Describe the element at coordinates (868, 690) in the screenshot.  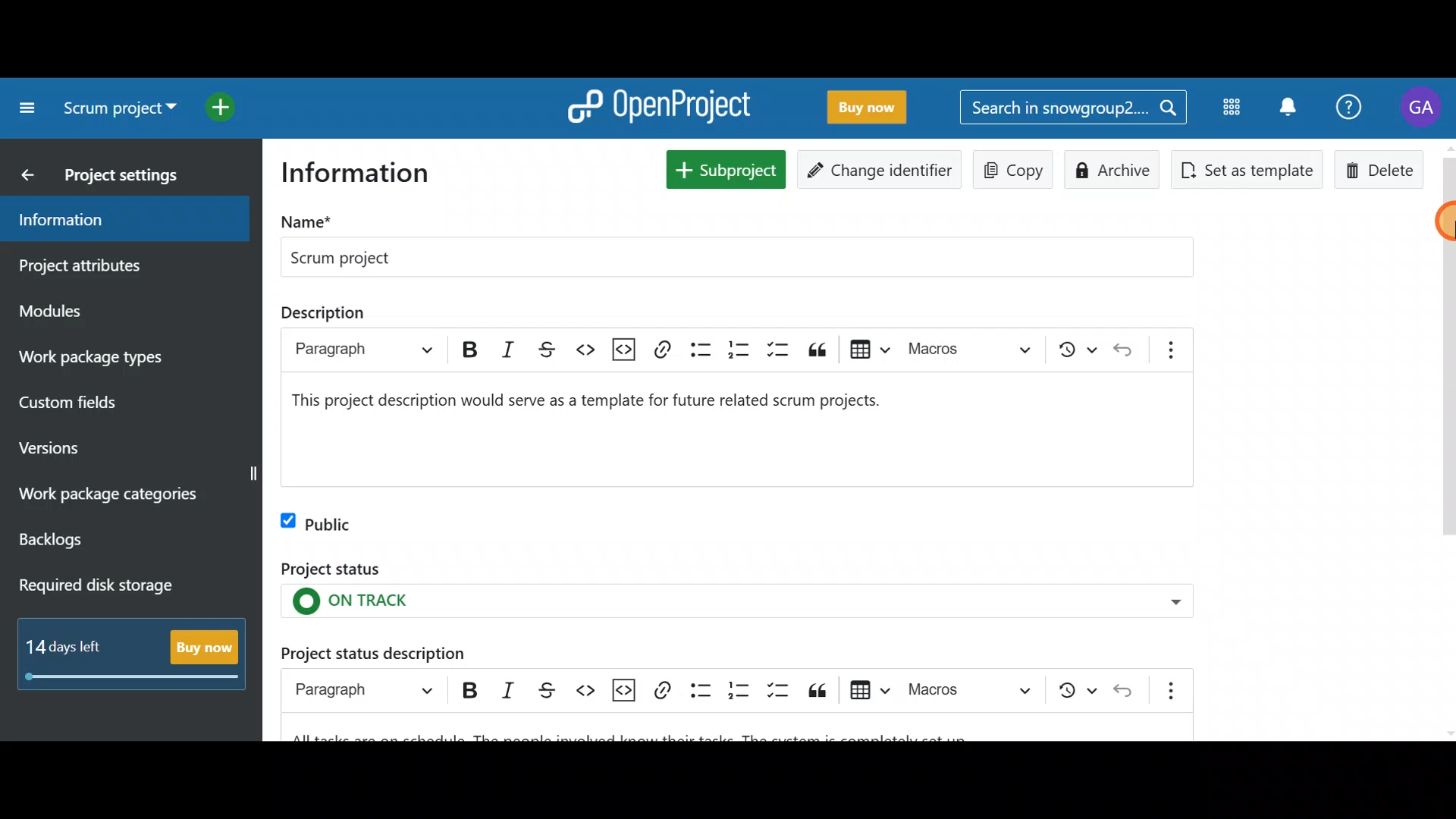
I see `Insert table` at that location.